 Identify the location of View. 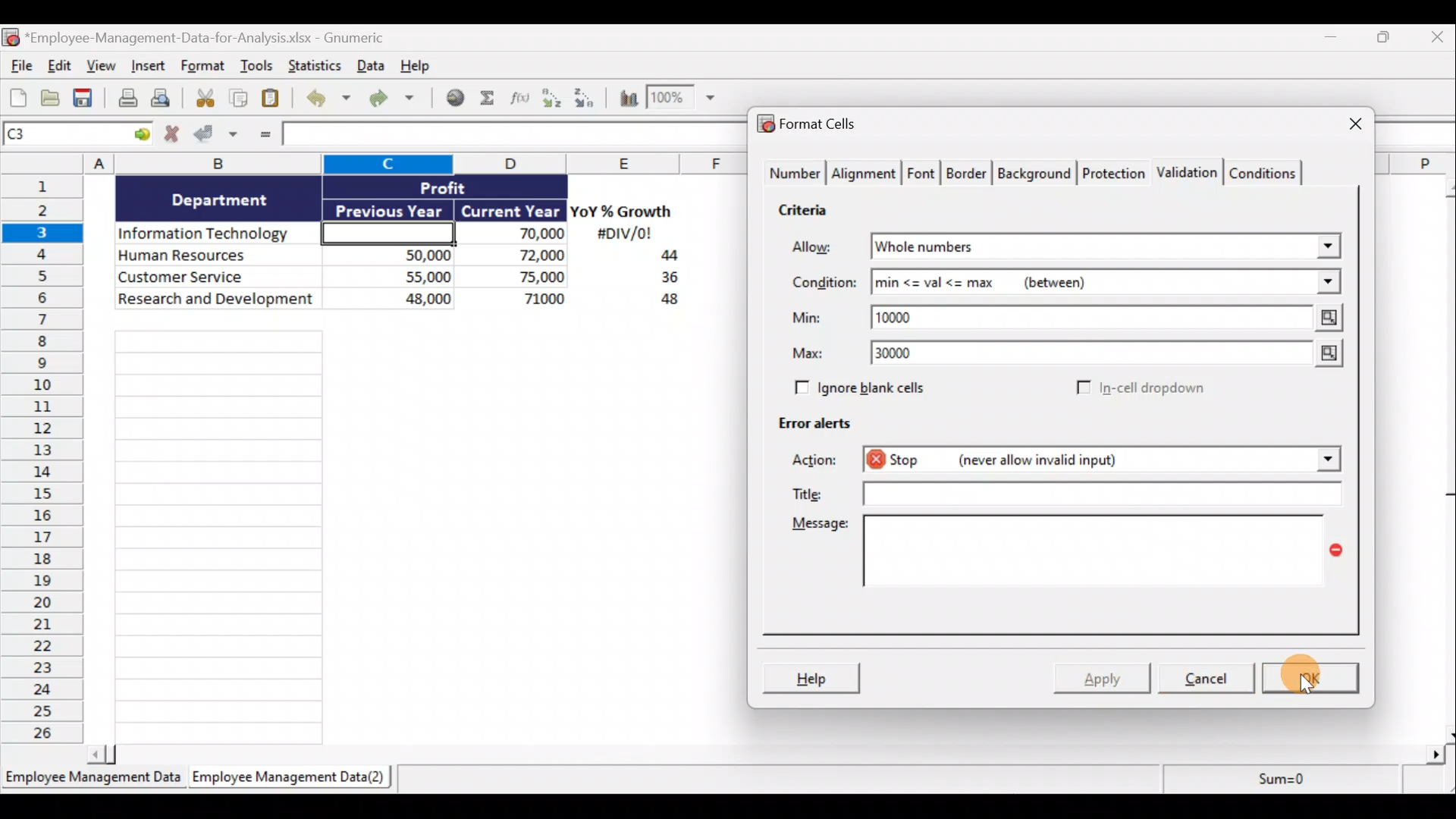
(103, 67).